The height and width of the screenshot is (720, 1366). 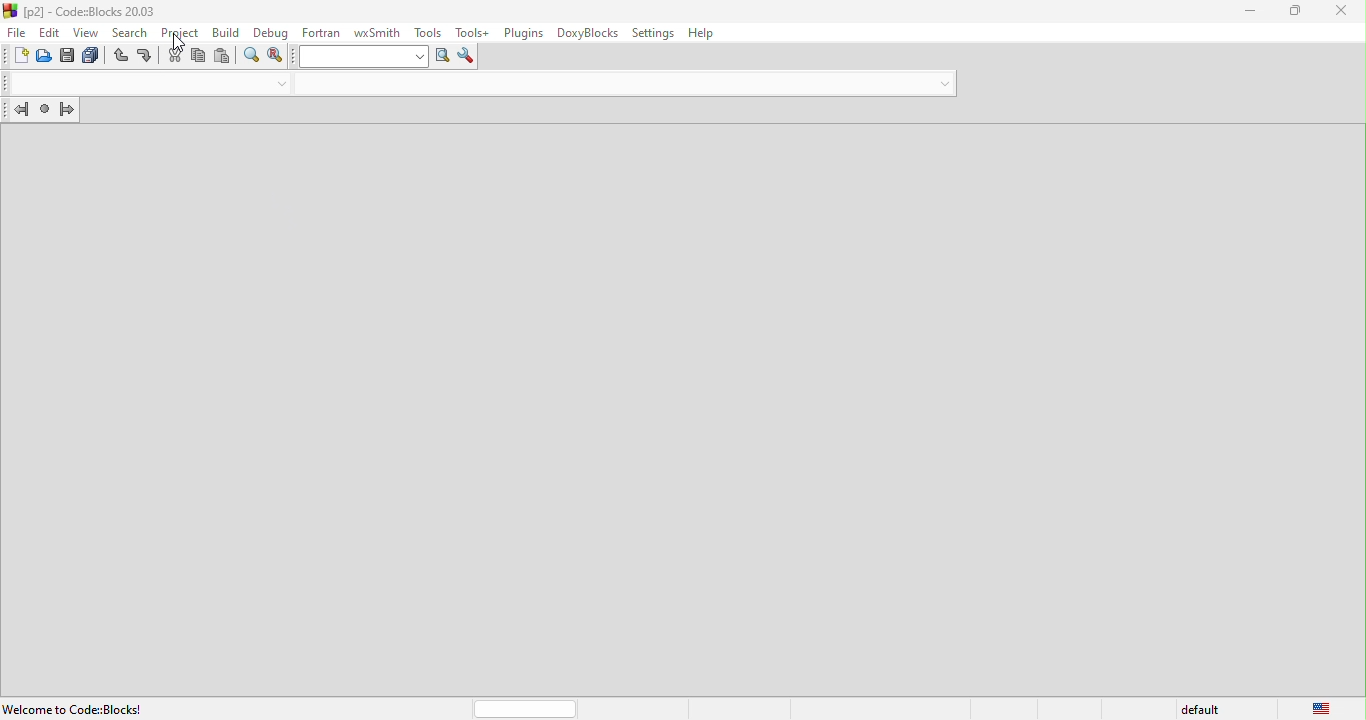 I want to click on tools++, so click(x=473, y=32).